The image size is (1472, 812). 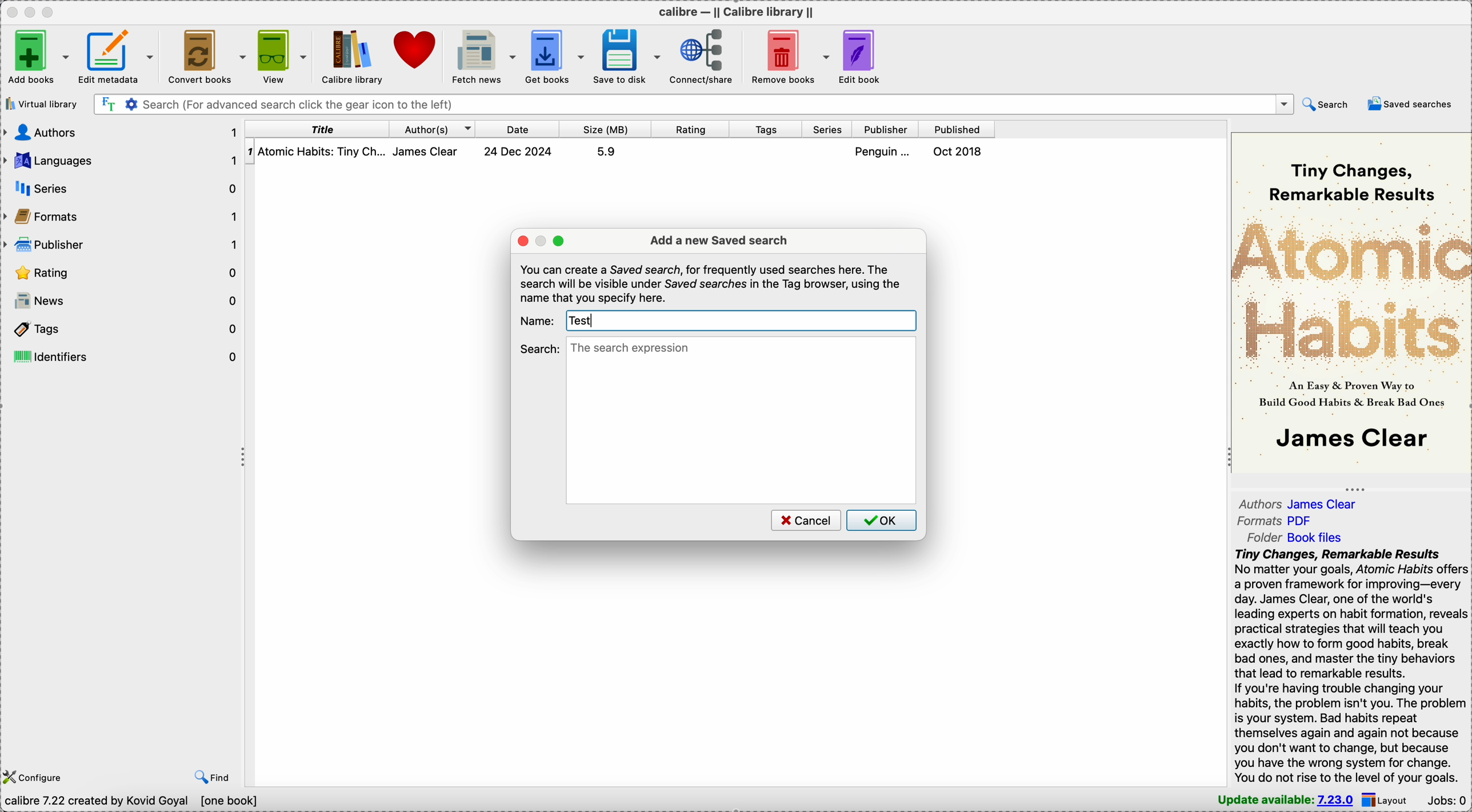 I want to click on maximize, so click(x=559, y=241).